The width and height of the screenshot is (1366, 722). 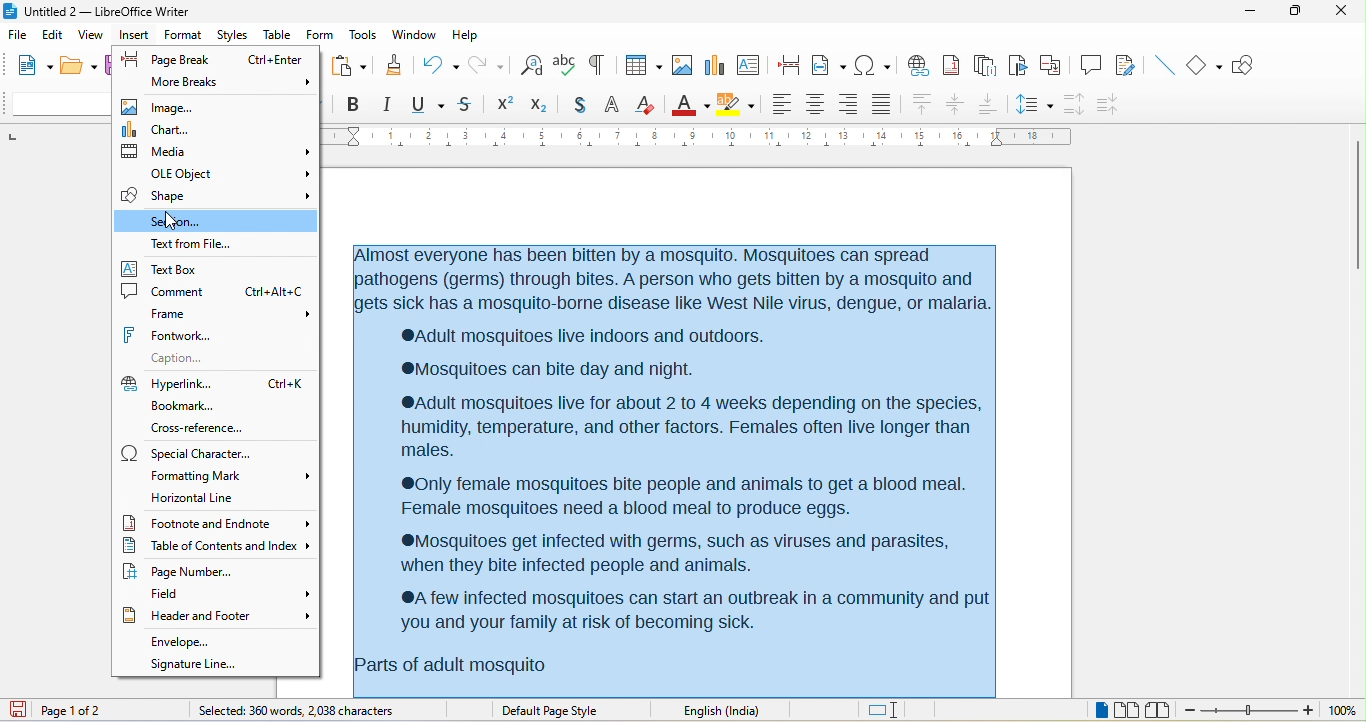 What do you see at coordinates (212, 545) in the screenshot?
I see `table of contents and imdex` at bounding box center [212, 545].